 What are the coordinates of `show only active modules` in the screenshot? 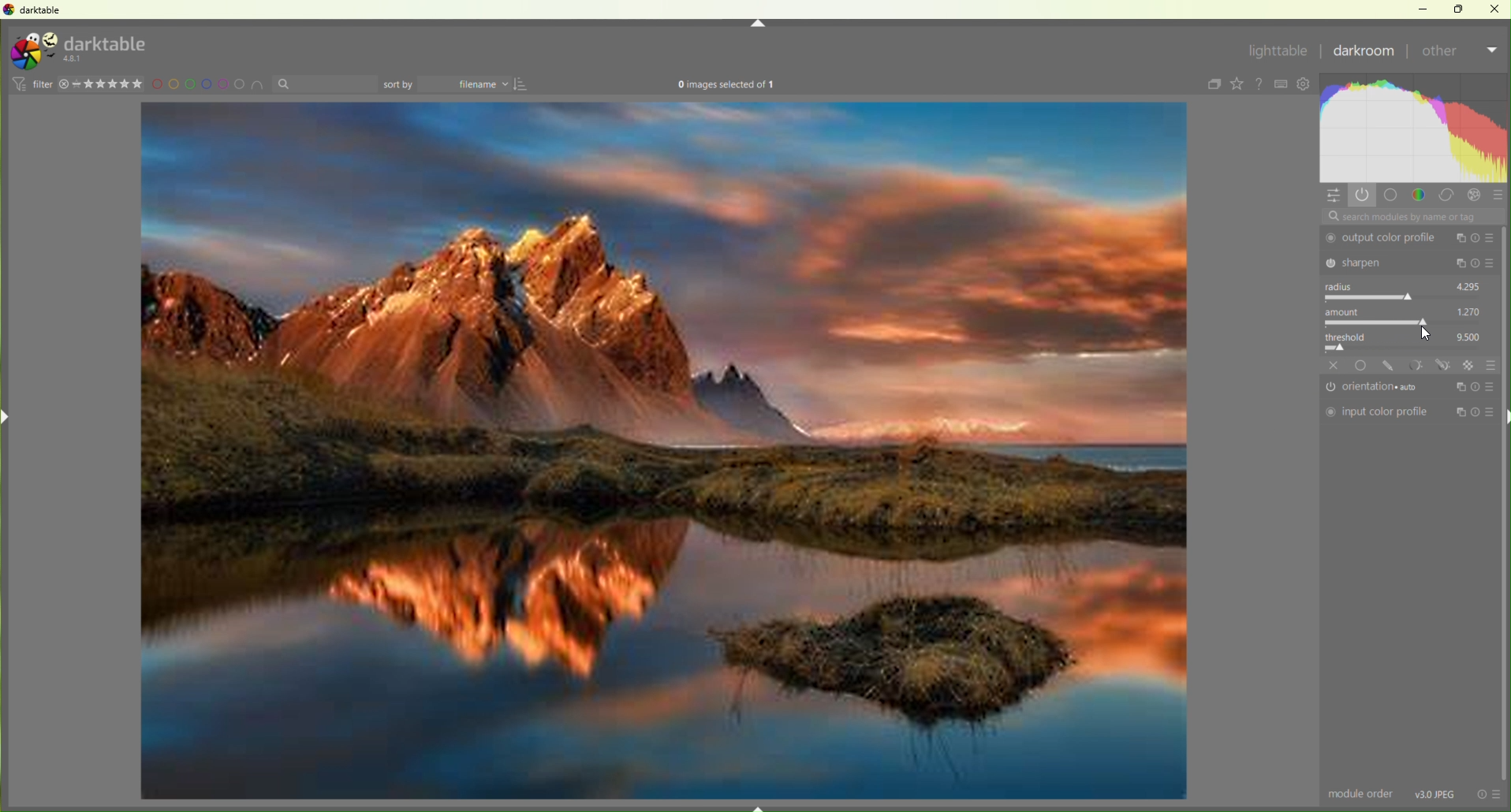 It's located at (1364, 195).